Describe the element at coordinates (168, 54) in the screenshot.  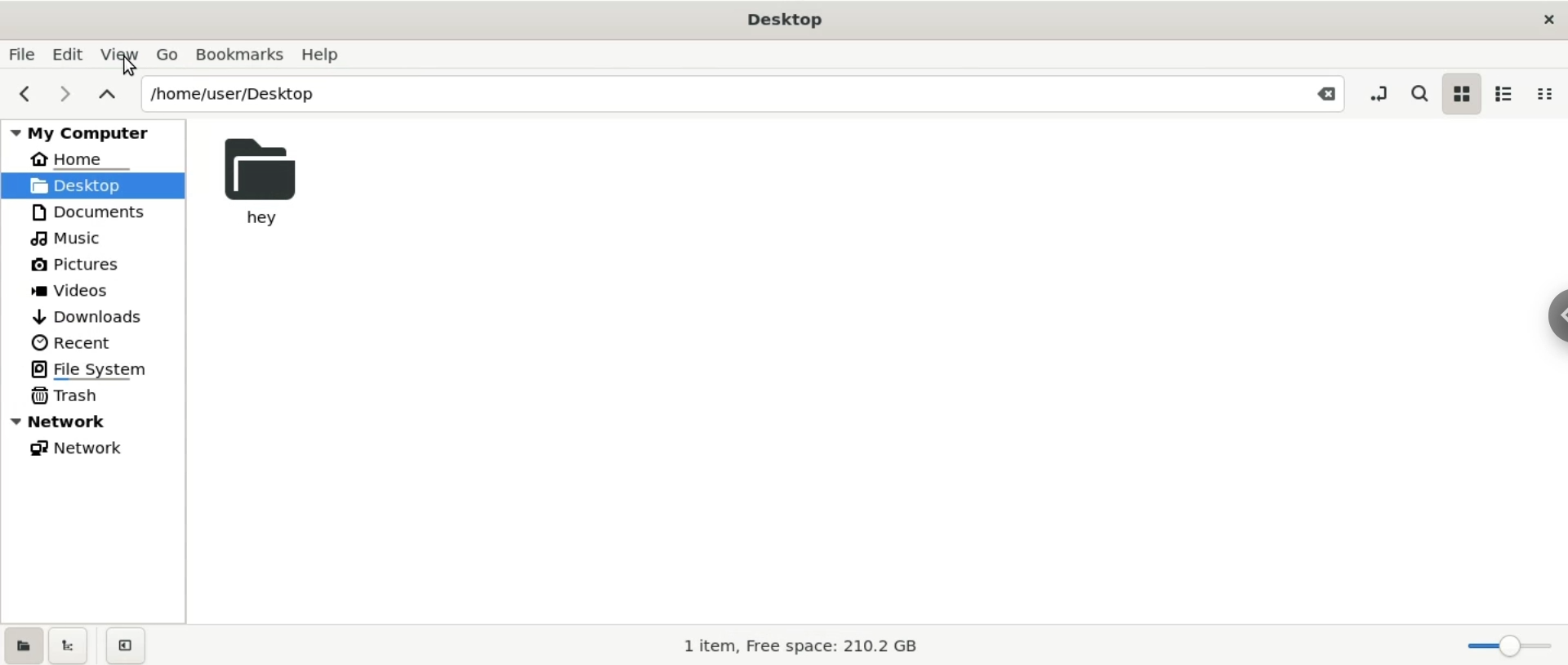
I see `Go` at that location.